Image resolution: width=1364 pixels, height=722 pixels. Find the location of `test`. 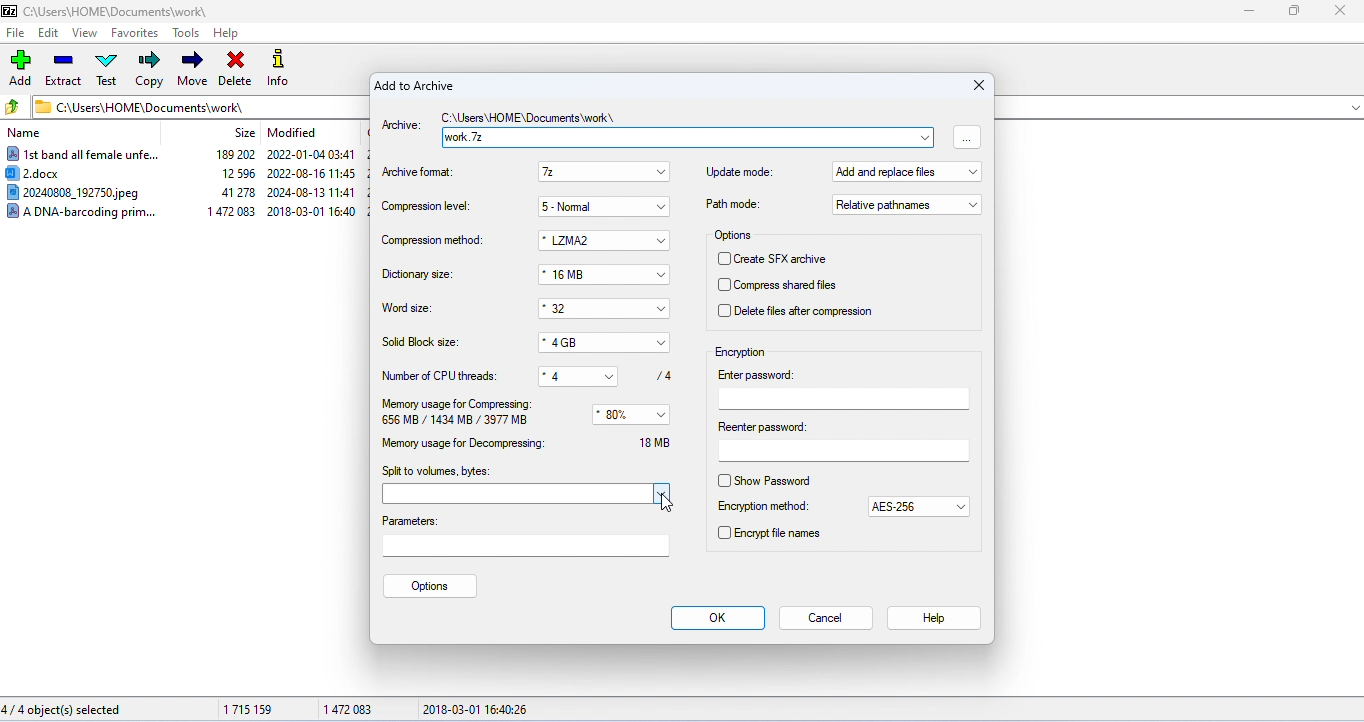

test is located at coordinates (107, 68).